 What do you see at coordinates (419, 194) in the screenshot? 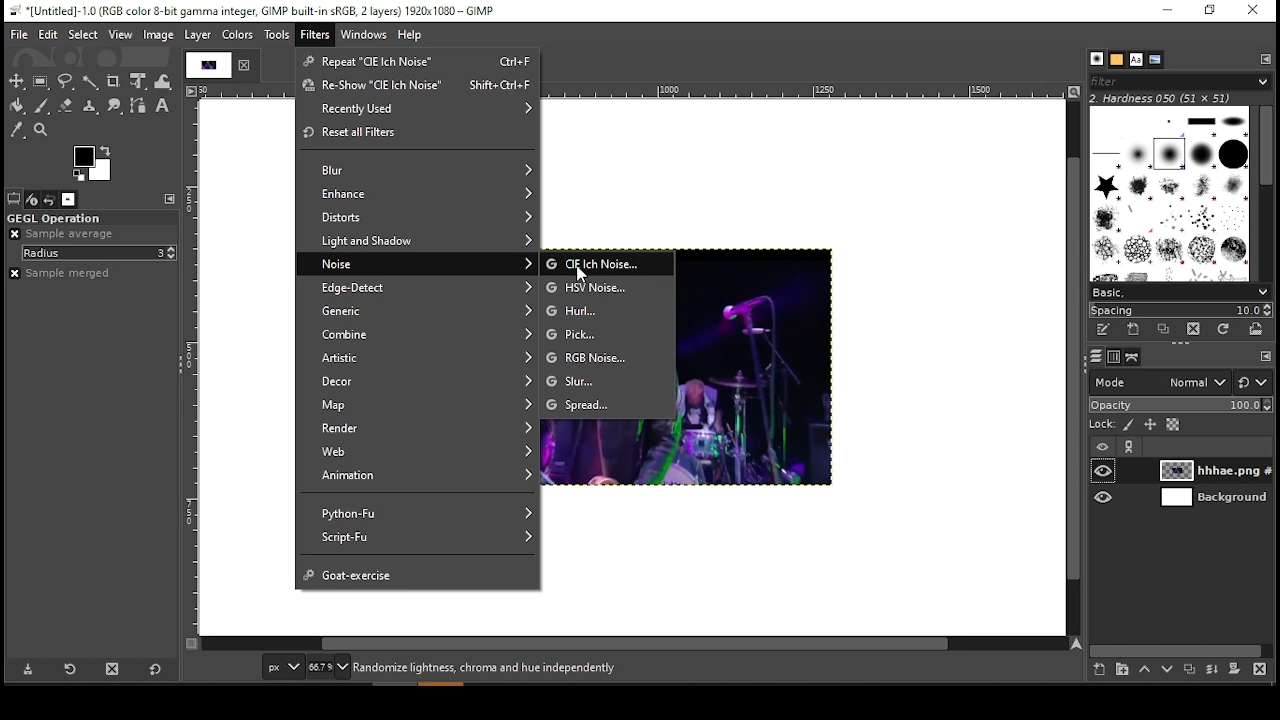
I see `enhance` at bounding box center [419, 194].